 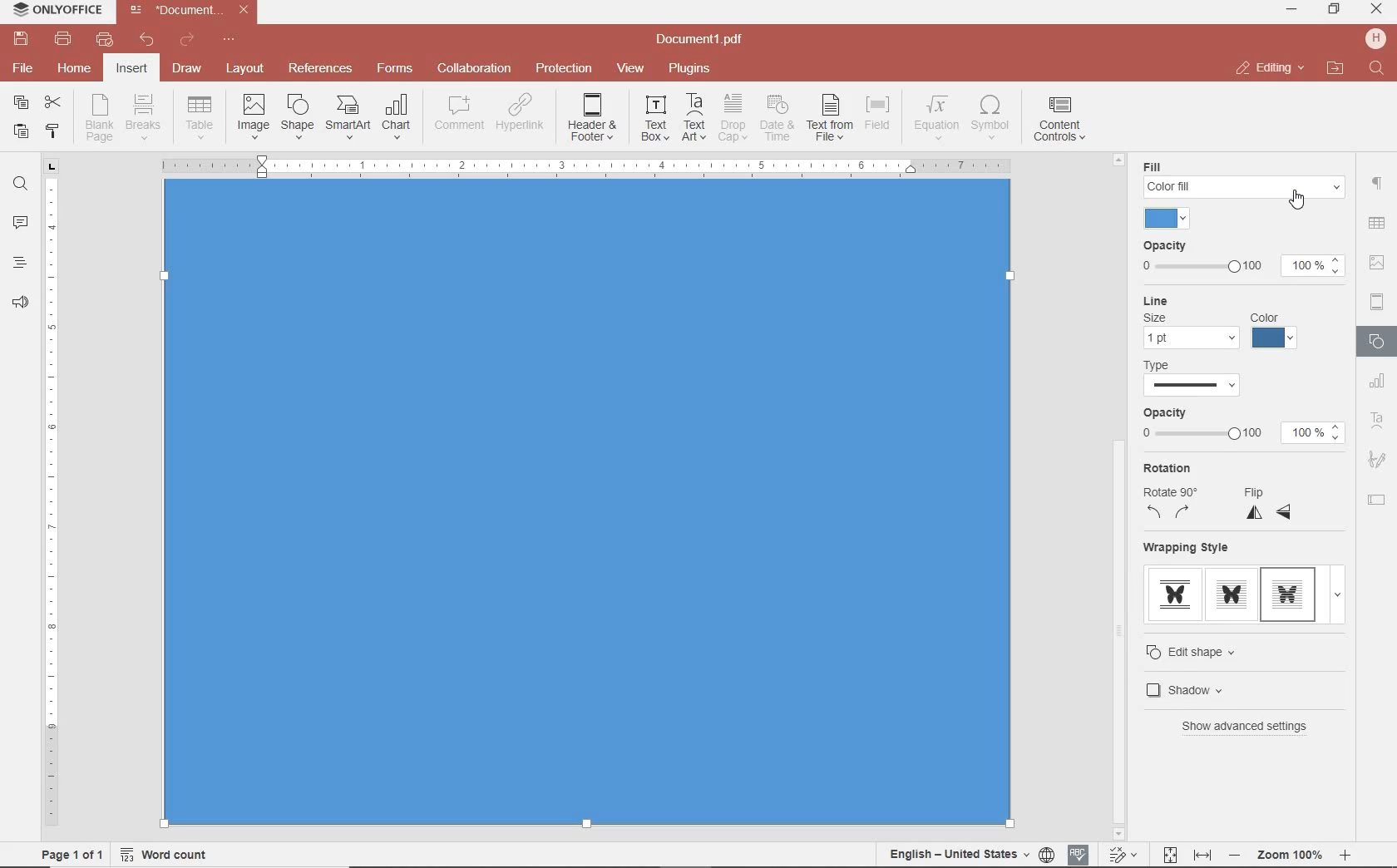 What do you see at coordinates (296, 116) in the screenshot?
I see `INSERT SHAPE` at bounding box center [296, 116].